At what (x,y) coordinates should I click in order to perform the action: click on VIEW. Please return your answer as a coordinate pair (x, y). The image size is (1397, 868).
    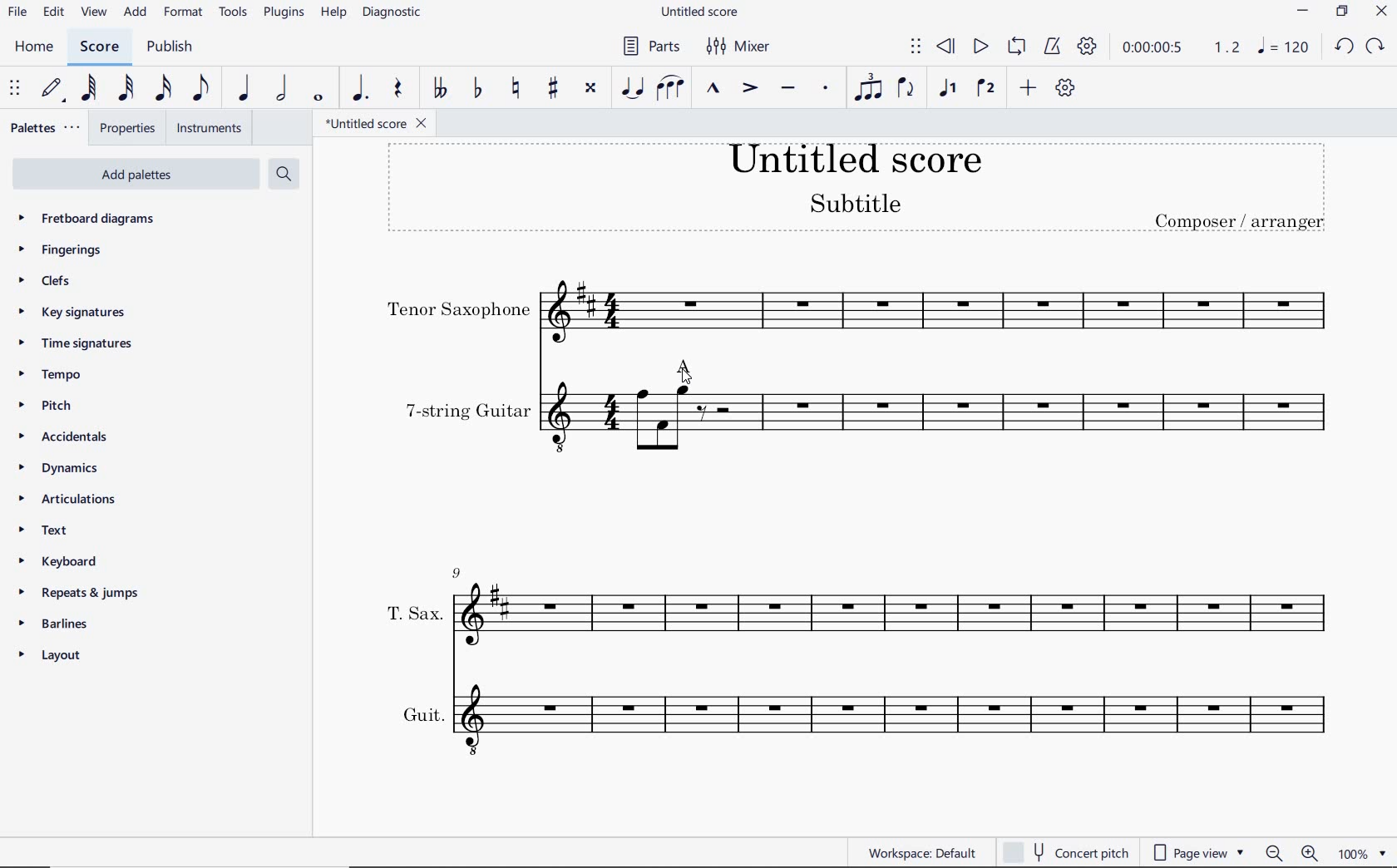
    Looking at the image, I should click on (93, 12).